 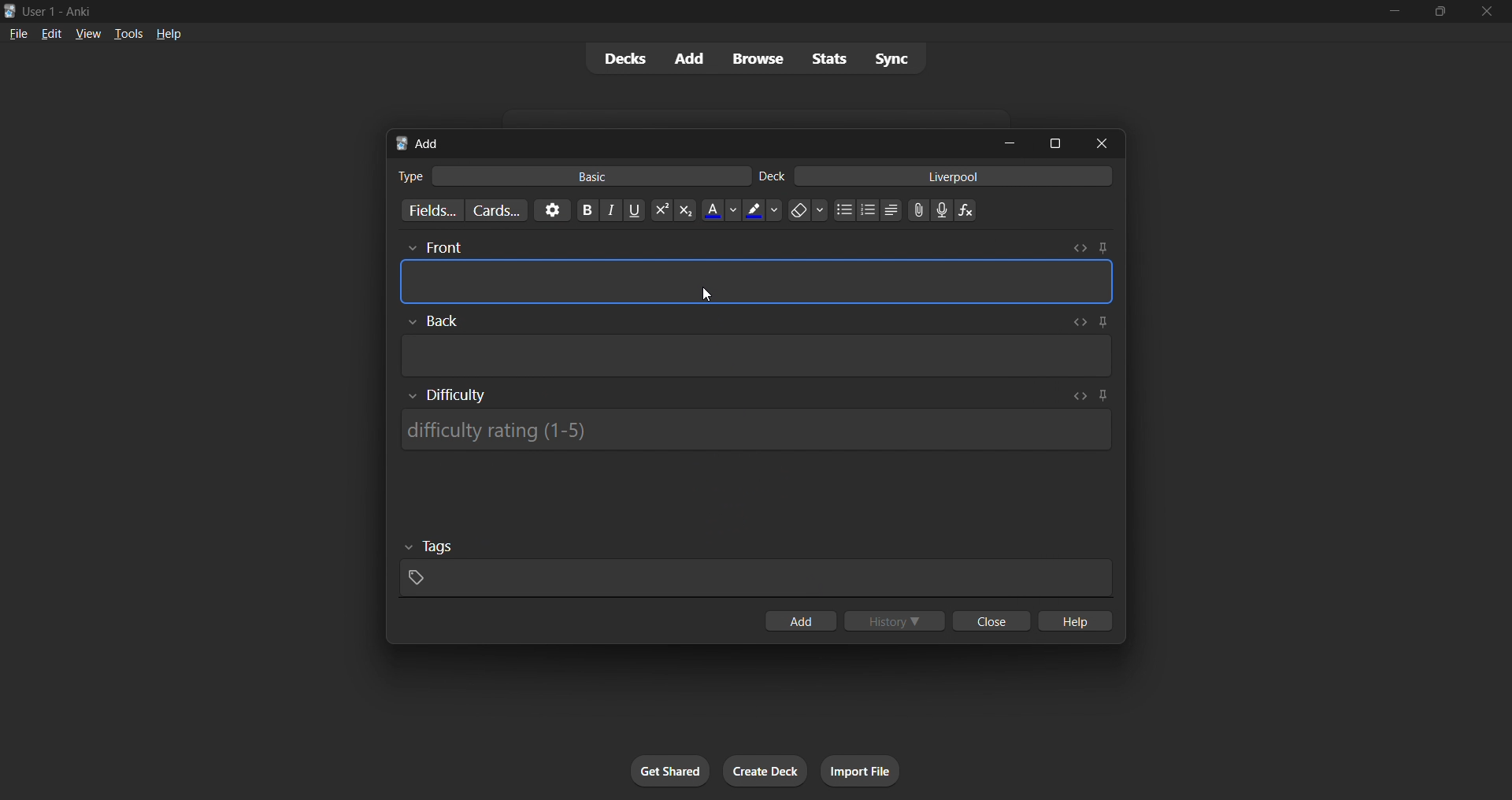 What do you see at coordinates (686, 210) in the screenshot?
I see `Subscript` at bounding box center [686, 210].